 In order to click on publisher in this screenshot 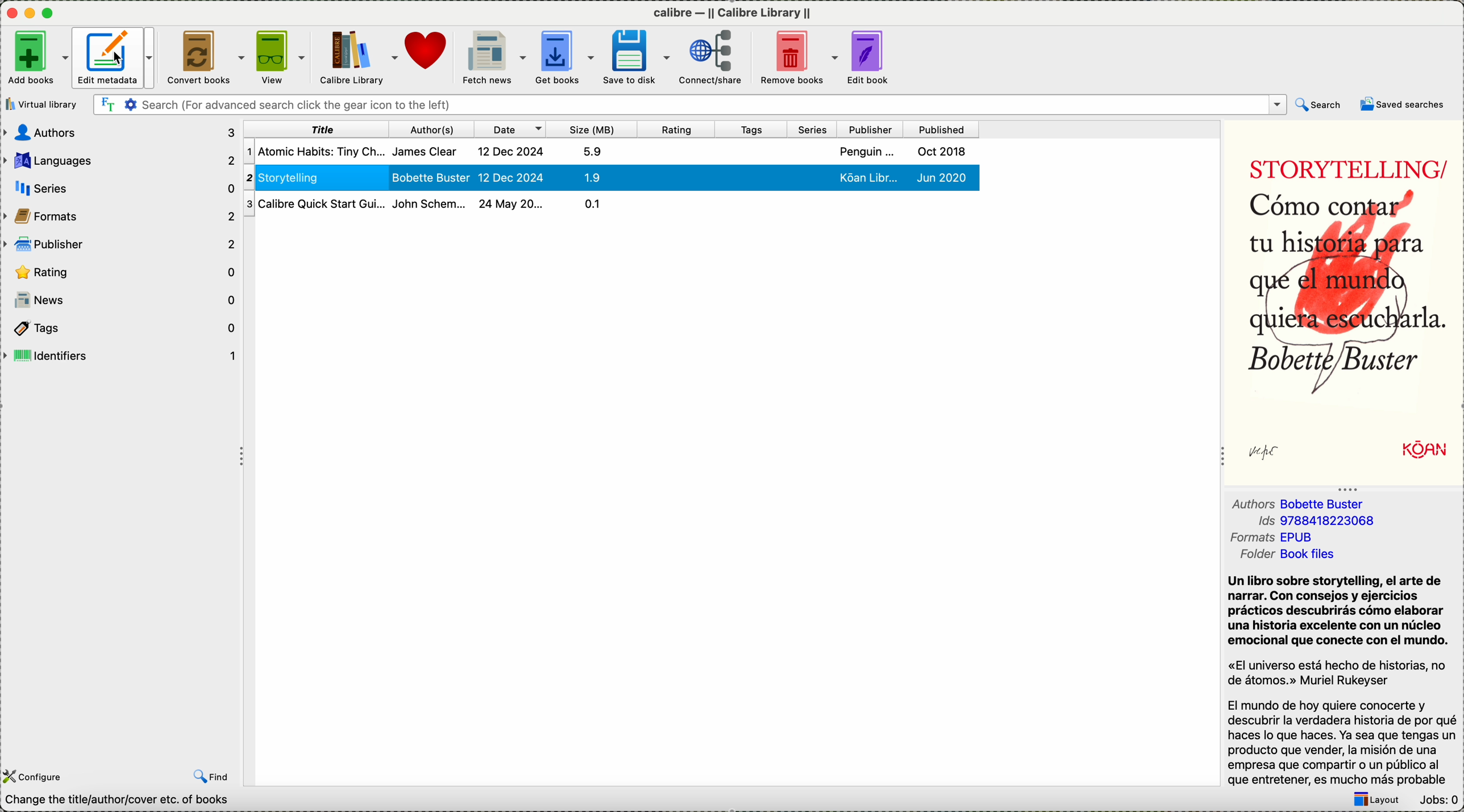, I will do `click(123, 243)`.